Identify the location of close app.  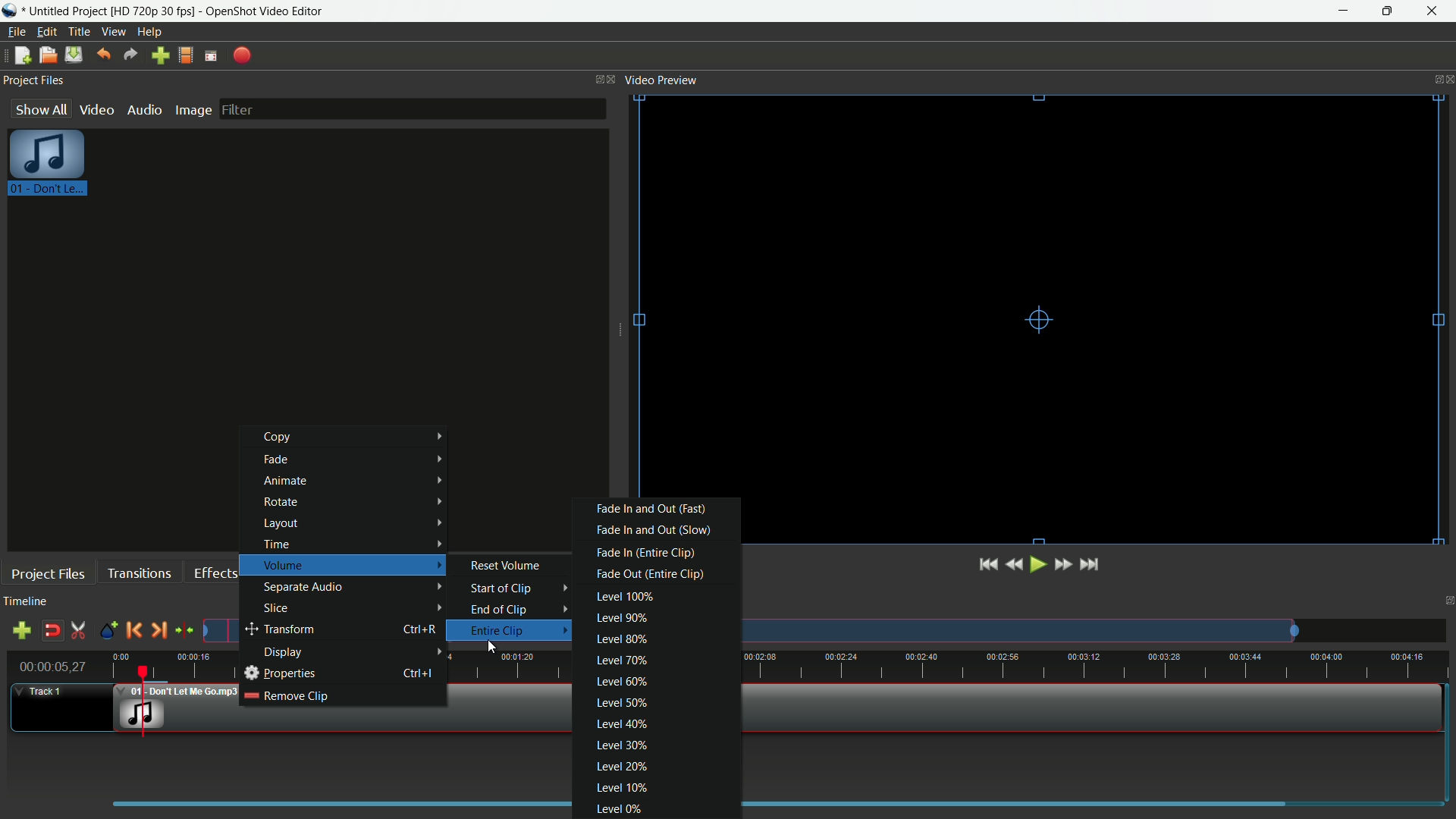
(1434, 12).